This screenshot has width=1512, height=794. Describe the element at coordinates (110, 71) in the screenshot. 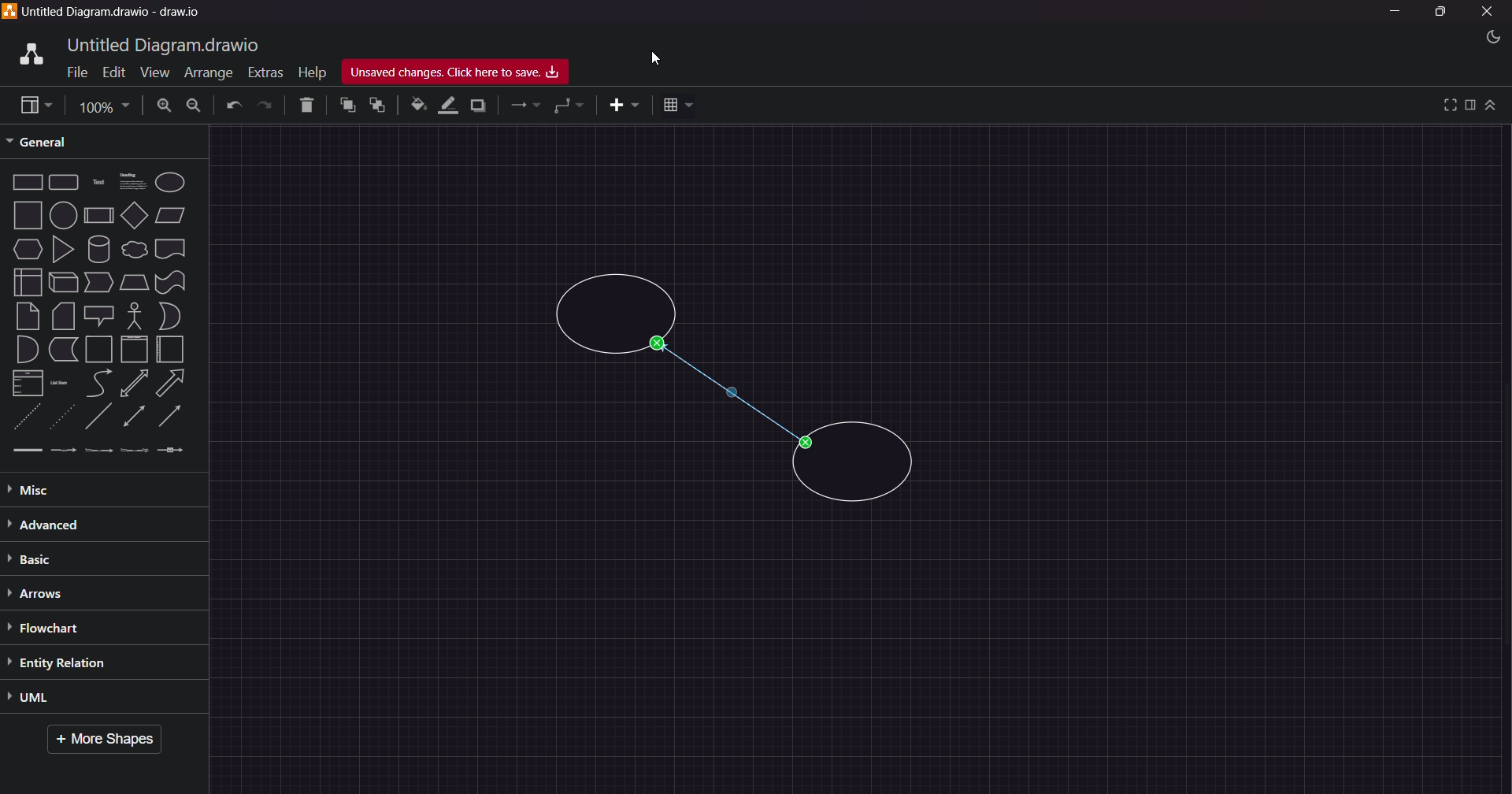

I see `Edit` at that location.